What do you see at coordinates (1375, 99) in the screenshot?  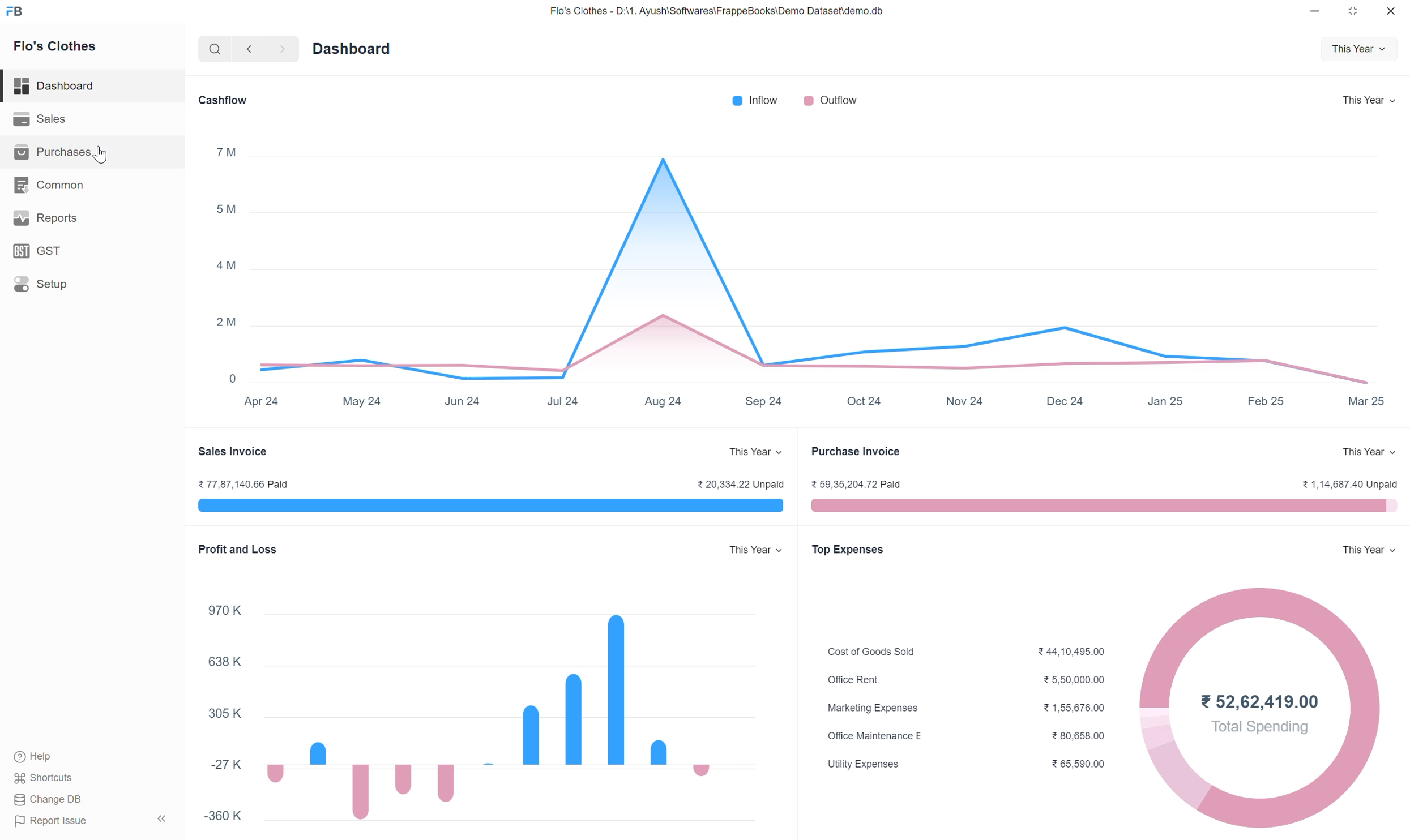 I see `this year` at bounding box center [1375, 99].